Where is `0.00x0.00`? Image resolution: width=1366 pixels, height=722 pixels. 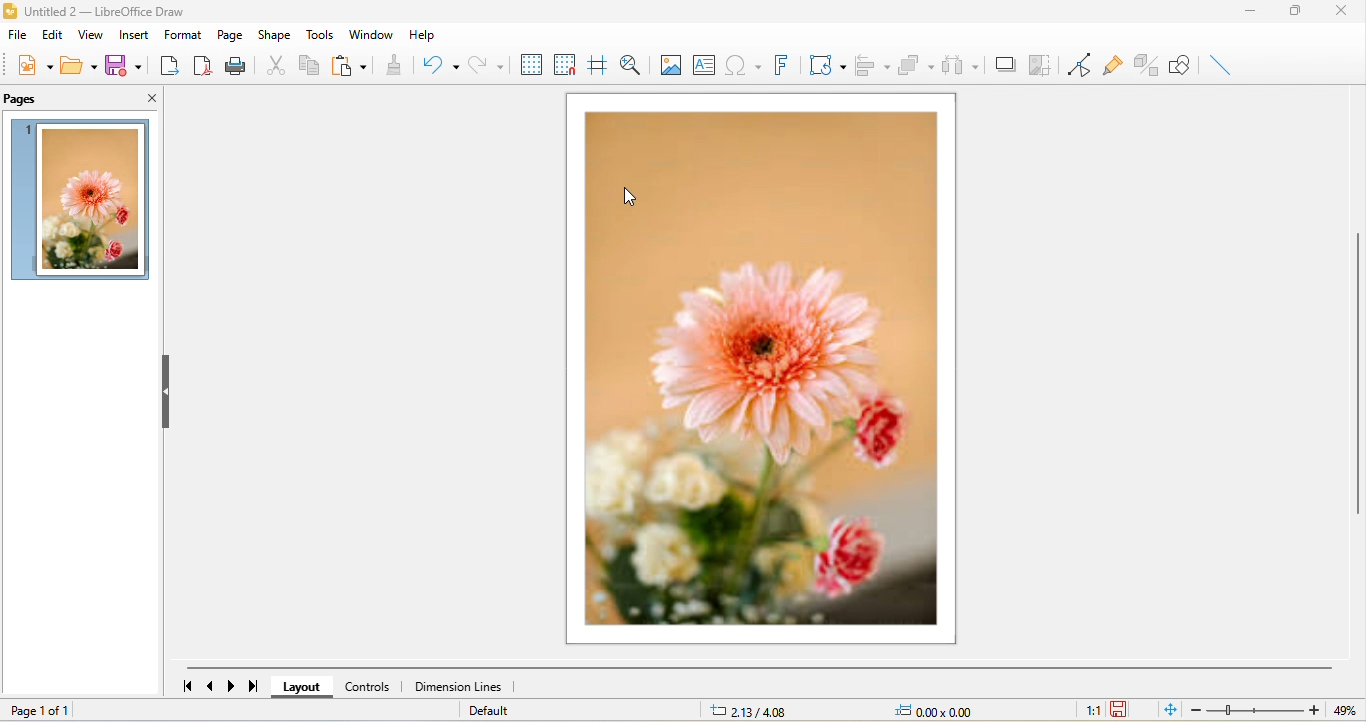 0.00x0.00 is located at coordinates (943, 711).